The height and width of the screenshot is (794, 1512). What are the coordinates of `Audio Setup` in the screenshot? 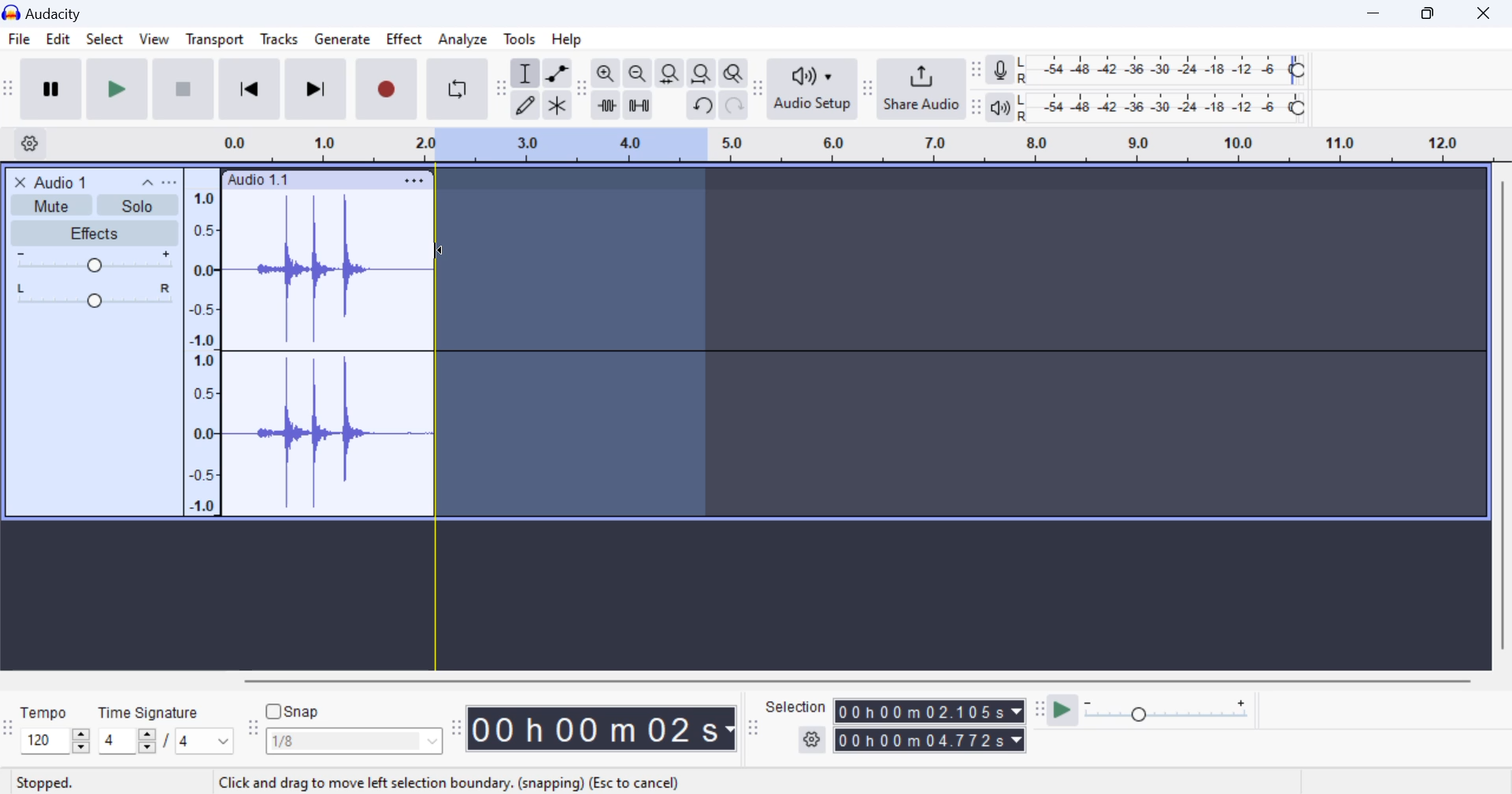 It's located at (811, 88).